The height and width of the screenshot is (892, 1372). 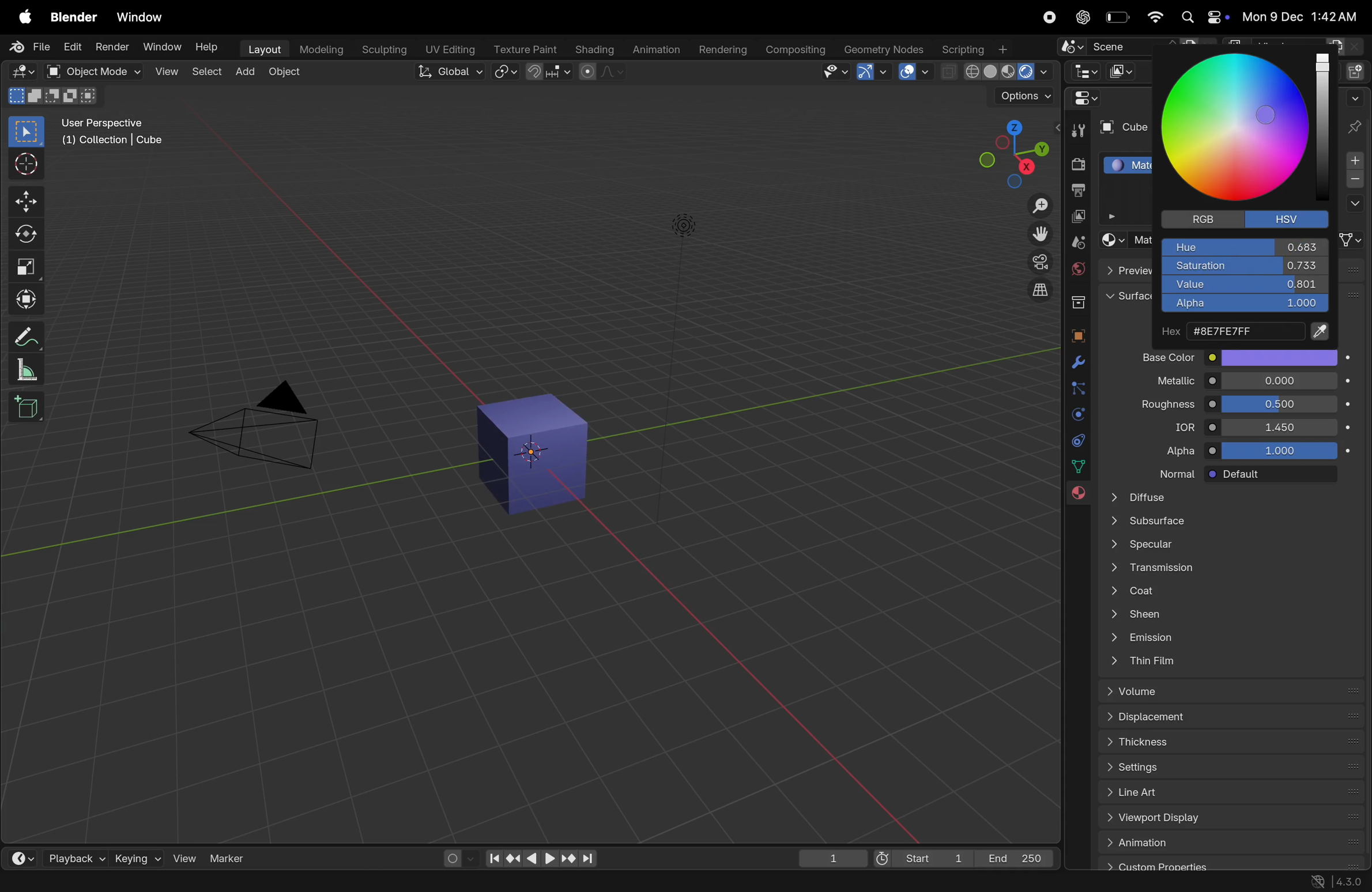 I want to click on 1.000, so click(x=1284, y=451).